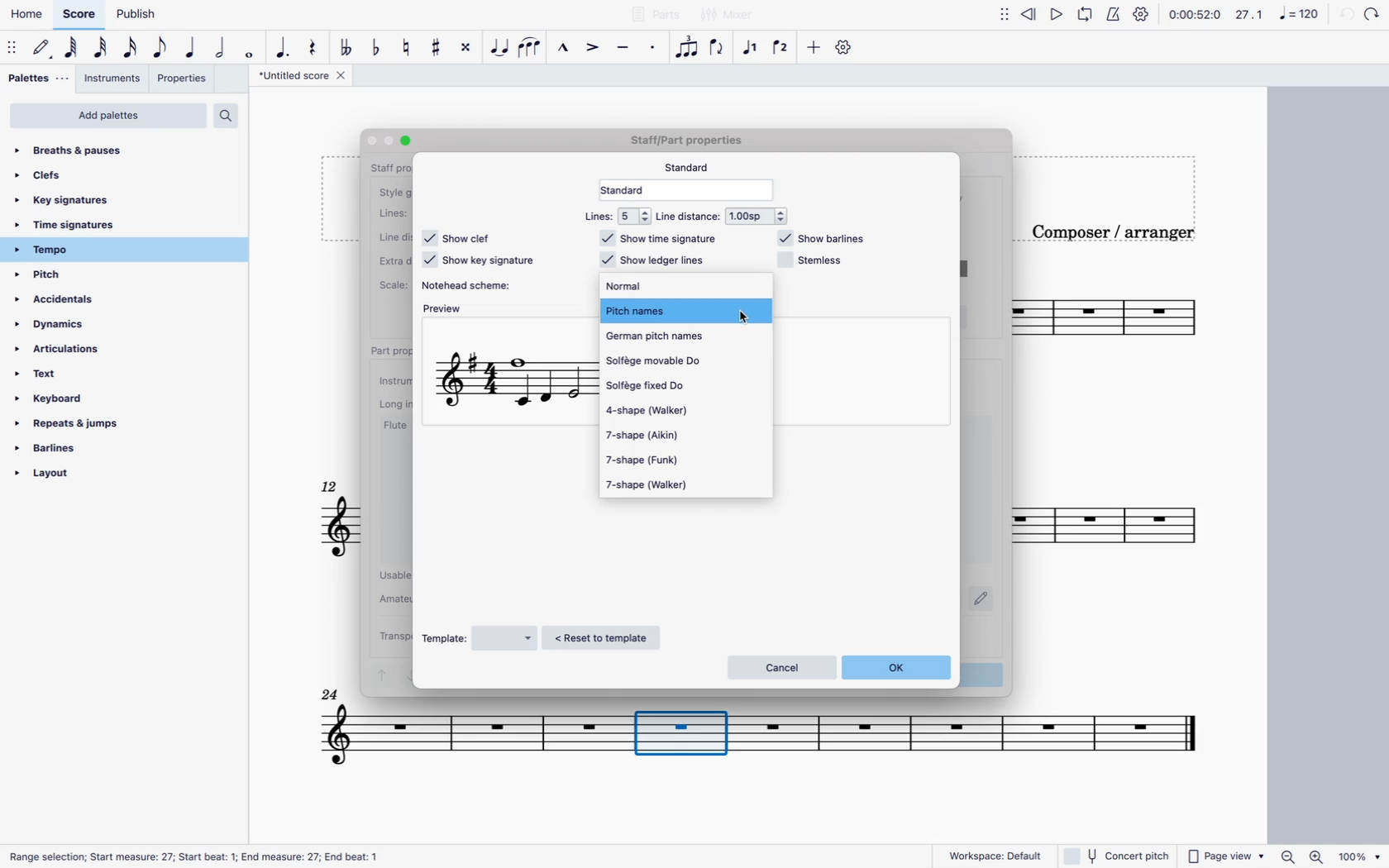 The image size is (1389, 868). I want to click on scale, so click(1277, 15).